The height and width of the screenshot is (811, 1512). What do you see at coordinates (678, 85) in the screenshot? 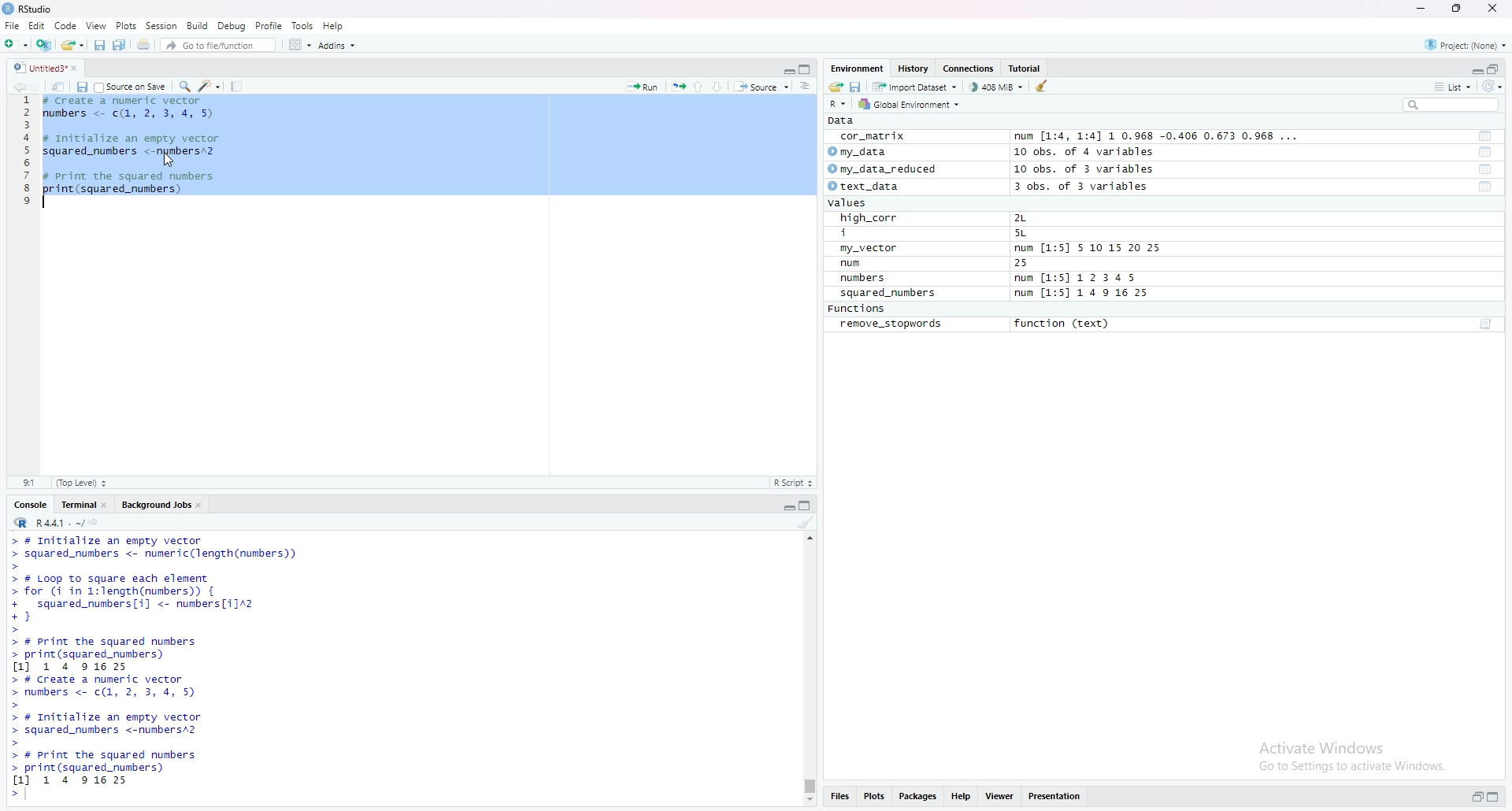
I see `re-run previous code region` at bounding box center [678, 85].